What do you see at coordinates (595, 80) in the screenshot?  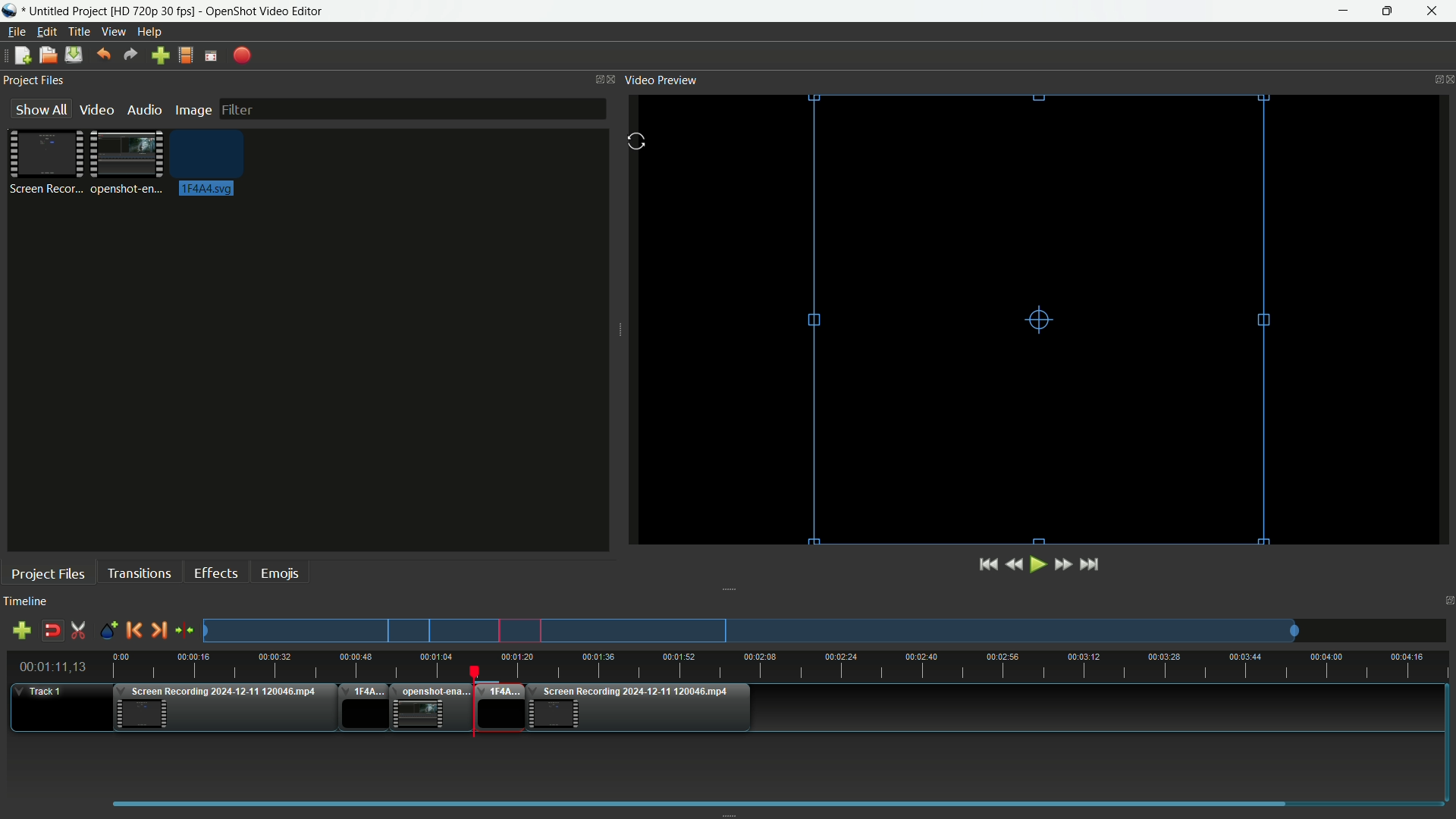 I see `Change layout` at bounding box center [595, 80].